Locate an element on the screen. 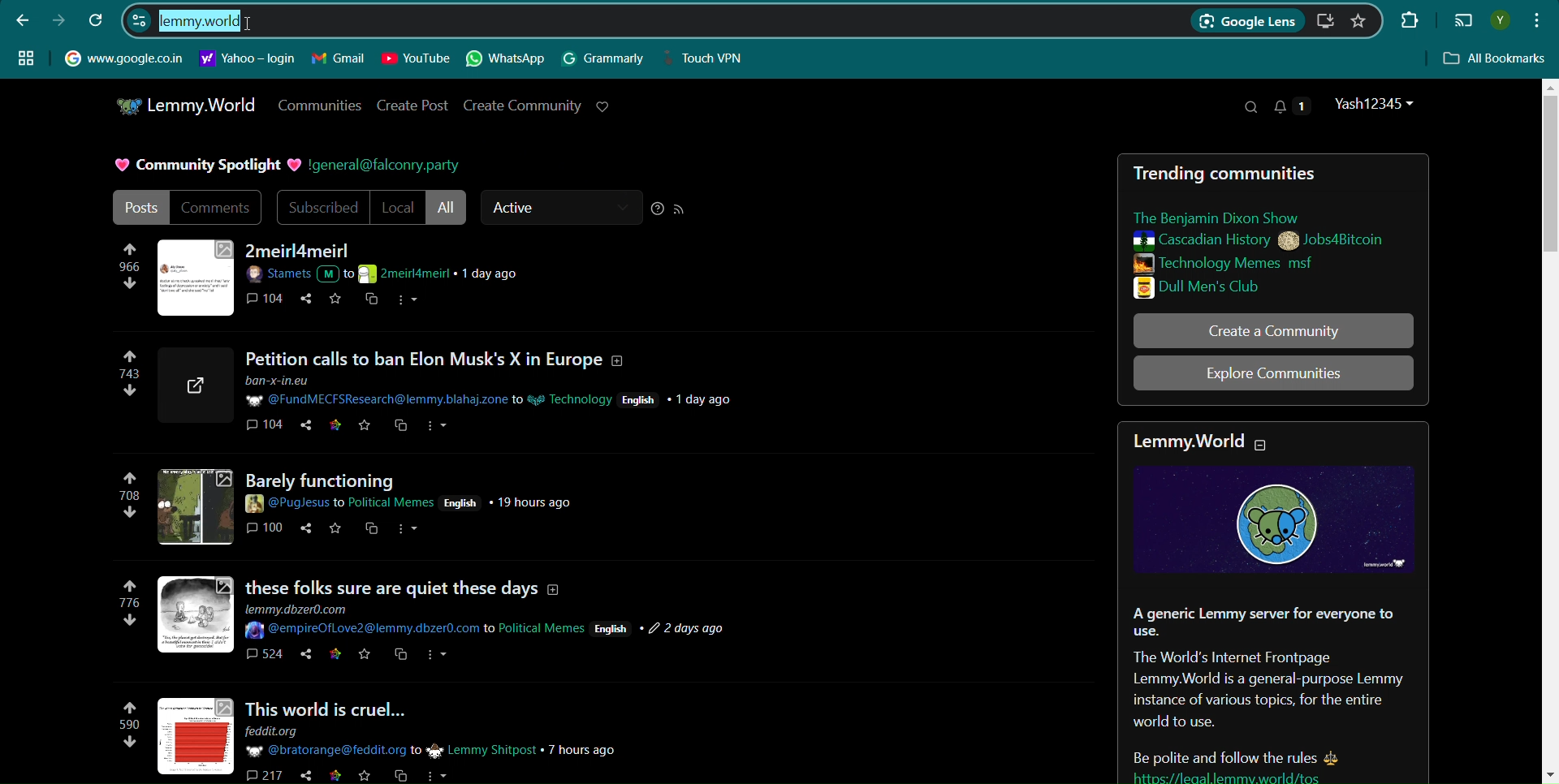 The image size is (1559, 784). Image is located at coordinates (1274, 519).